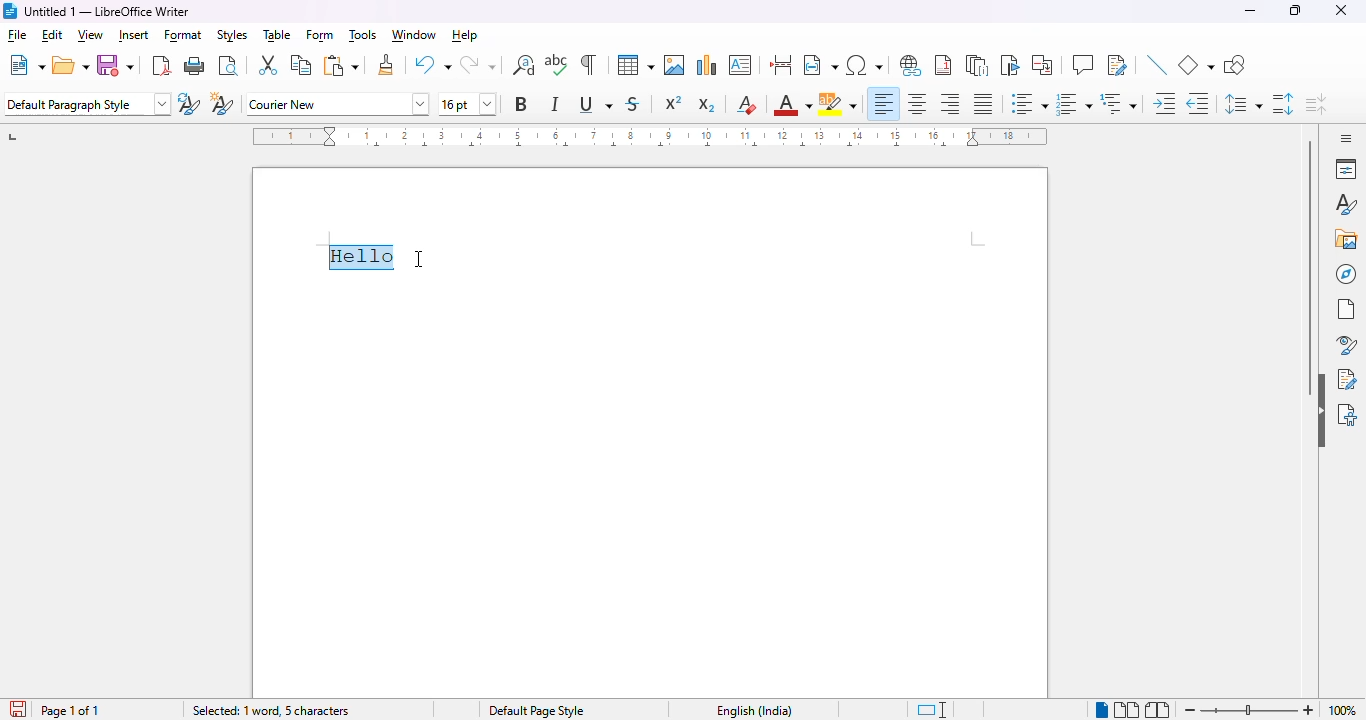 The height and width of the screenshot is (720, 1366). I want to click on gallery, so click(1346, 239).